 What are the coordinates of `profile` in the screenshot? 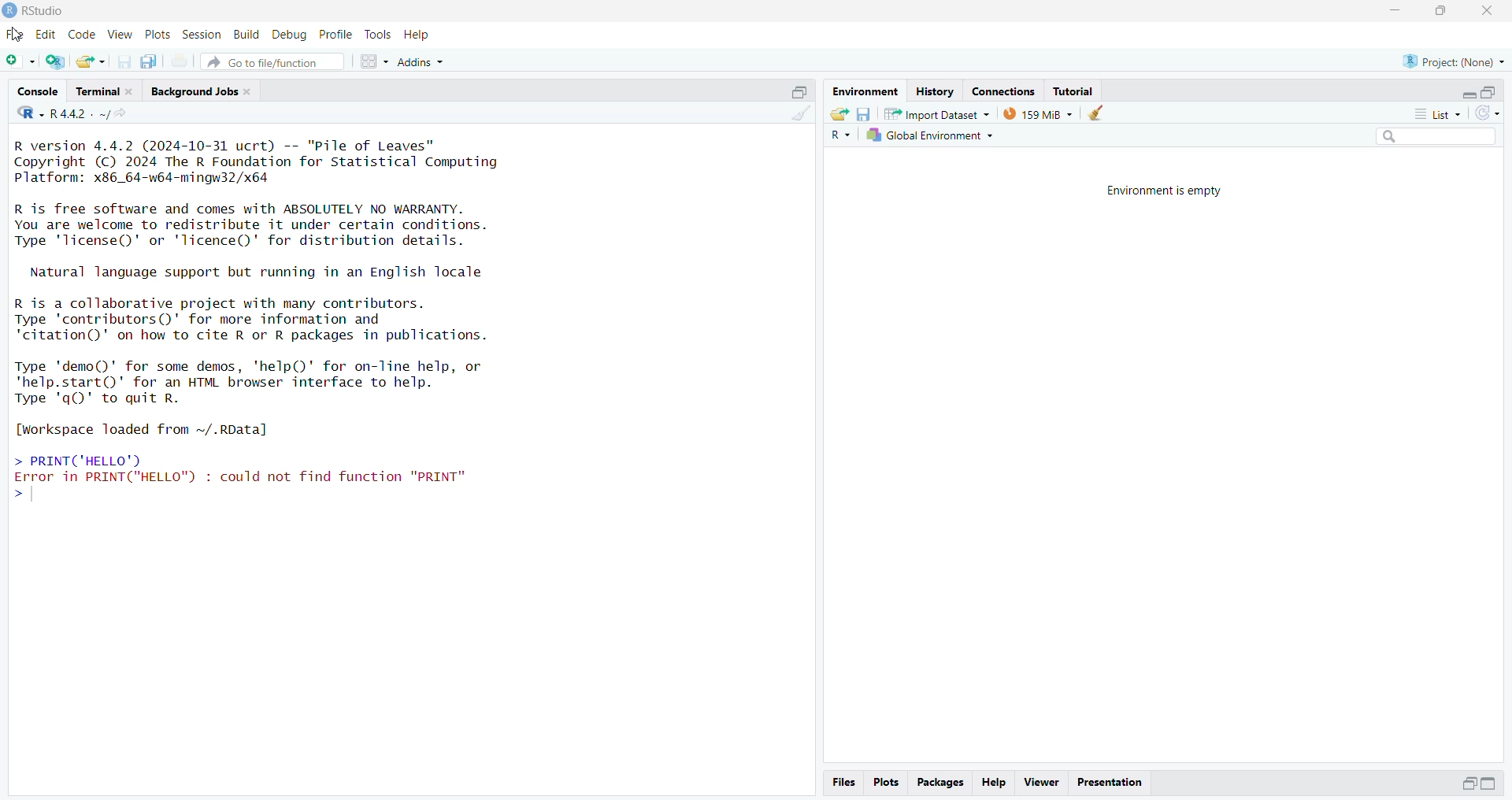 It's located at (337, 35).